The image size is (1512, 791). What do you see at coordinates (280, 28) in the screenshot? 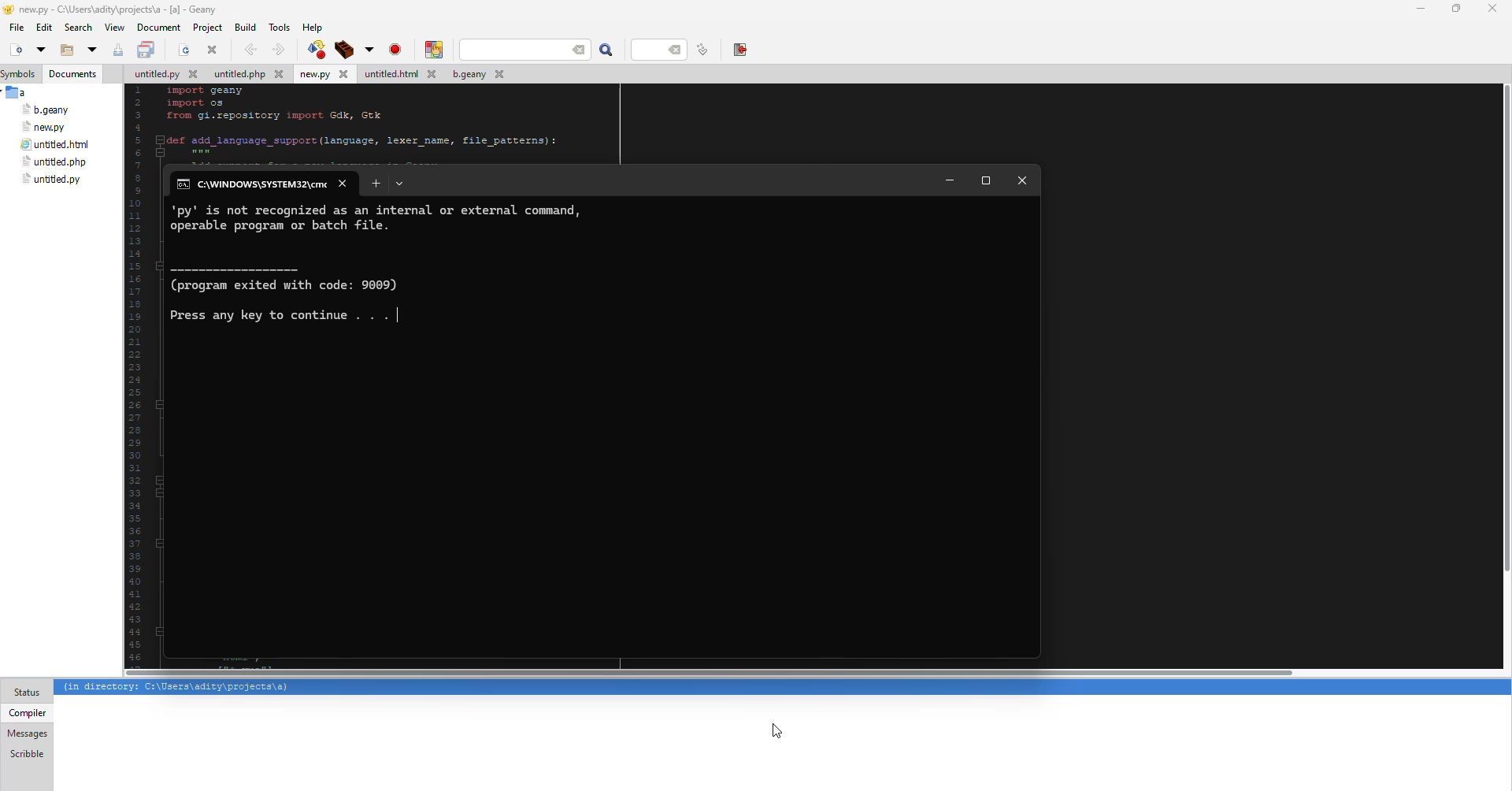
I see `tools` at bounding box center [280, 28].